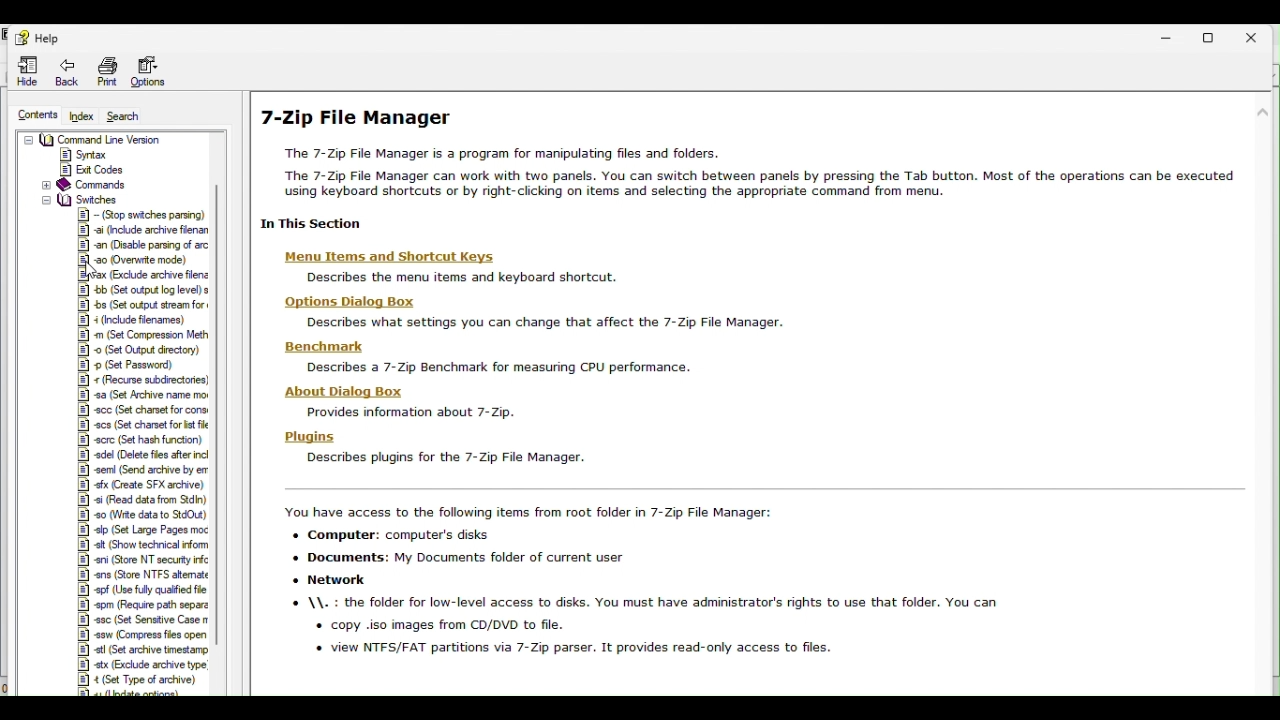 The image size is (1280, 720). What do you see at coordinates (1215, 37) in the screenshot?
I see `Restore` at bounding box center [1215, 37].